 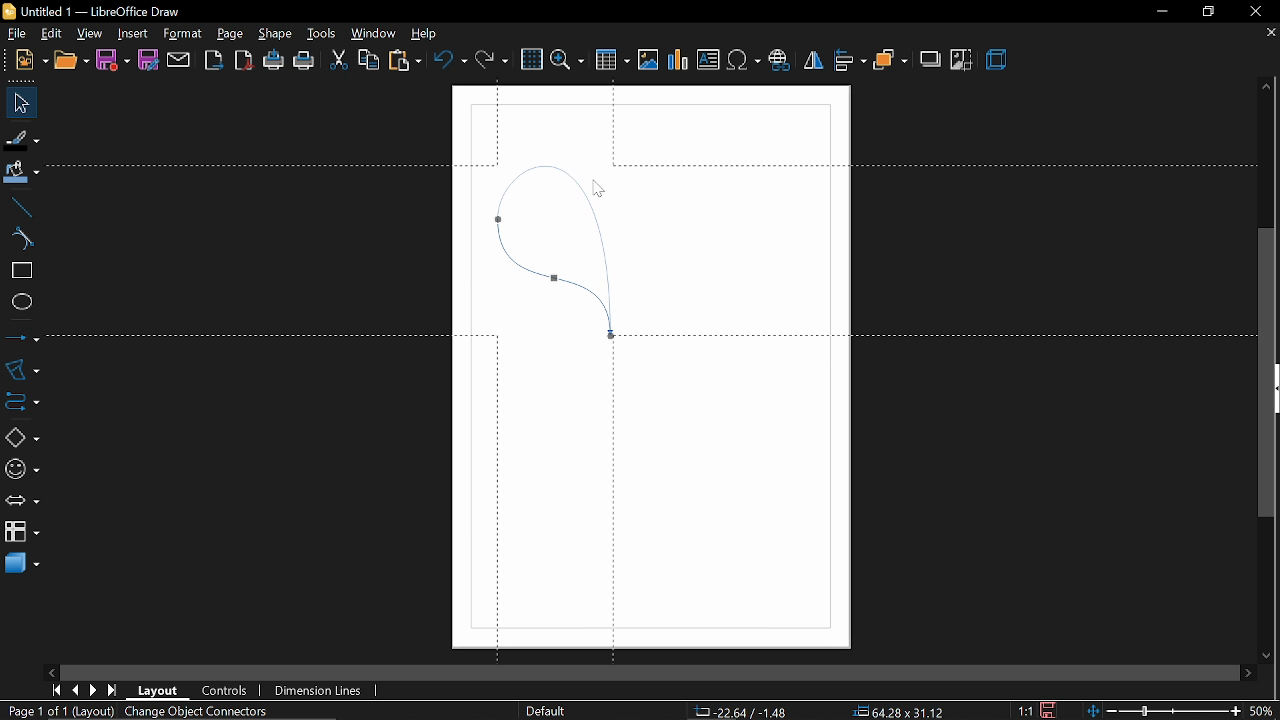 What do you see at coordinates (337, 62) in the screenshot?
I see `cut ` at bounding box center [337, 62].